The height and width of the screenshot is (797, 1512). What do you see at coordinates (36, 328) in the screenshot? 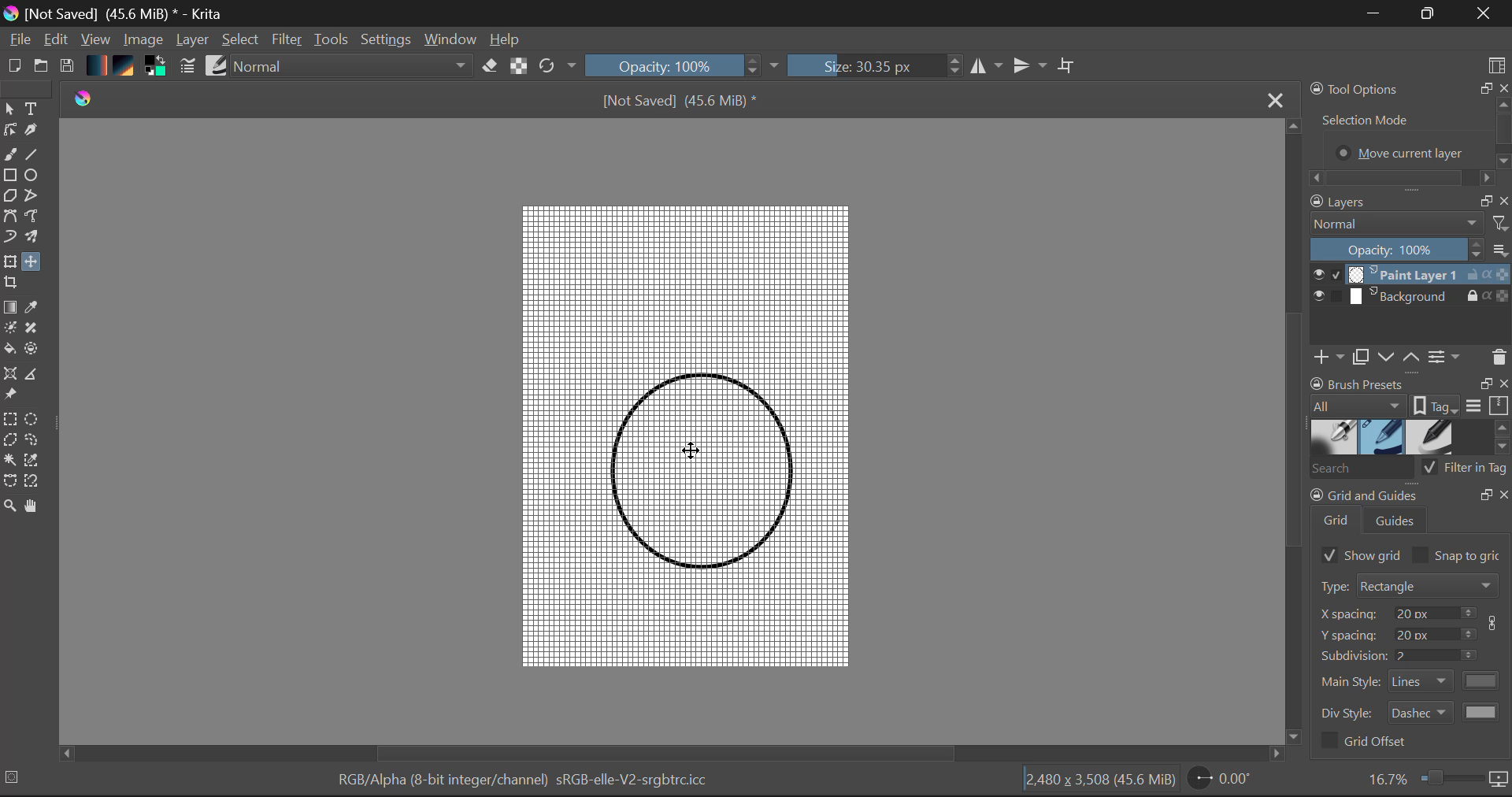
I see `Smart Patch Tool` at bounding box center [36, 328].